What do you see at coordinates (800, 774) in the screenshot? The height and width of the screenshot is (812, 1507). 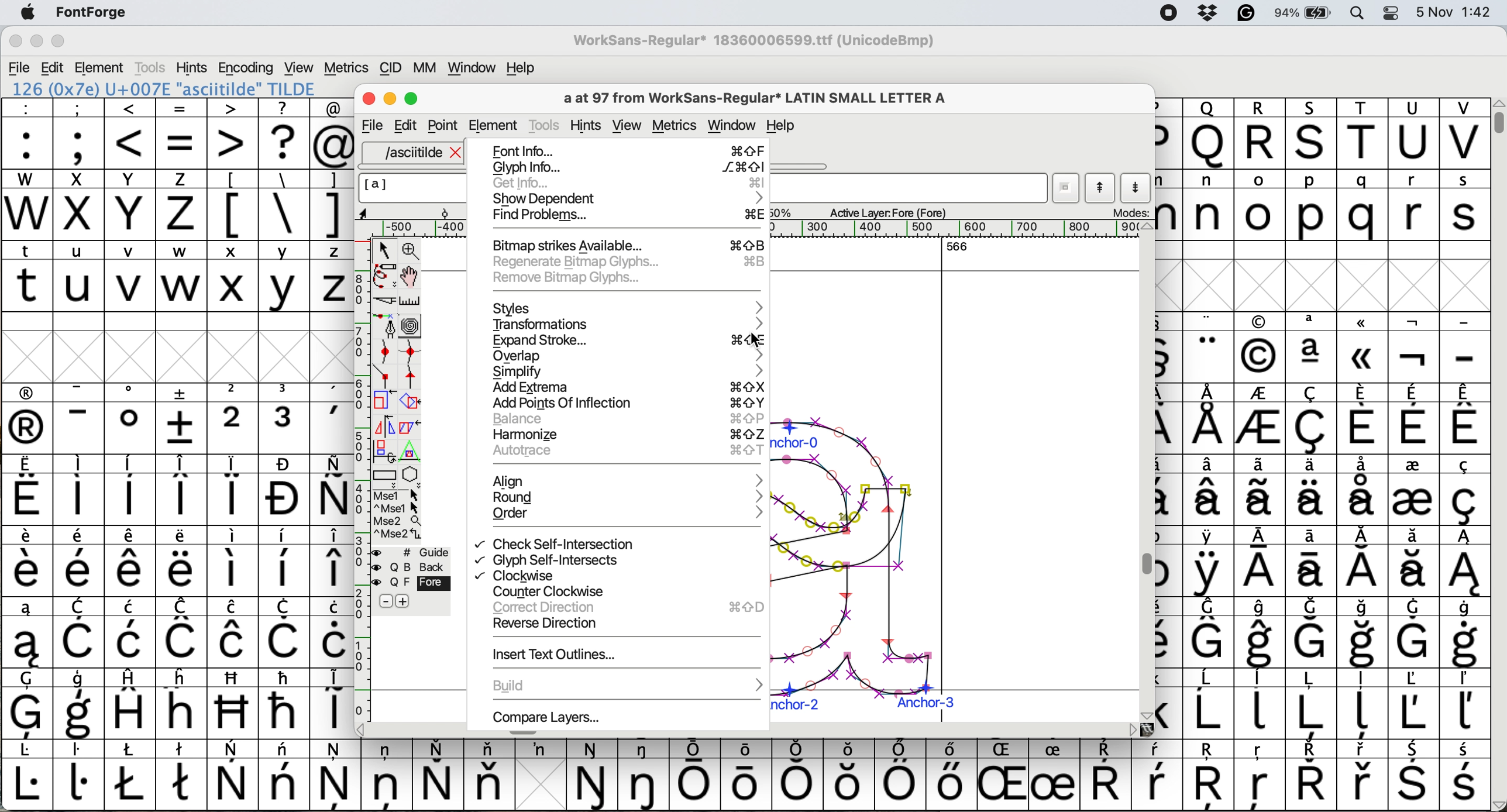 I see `symbol` at bounding box center [800, 774].